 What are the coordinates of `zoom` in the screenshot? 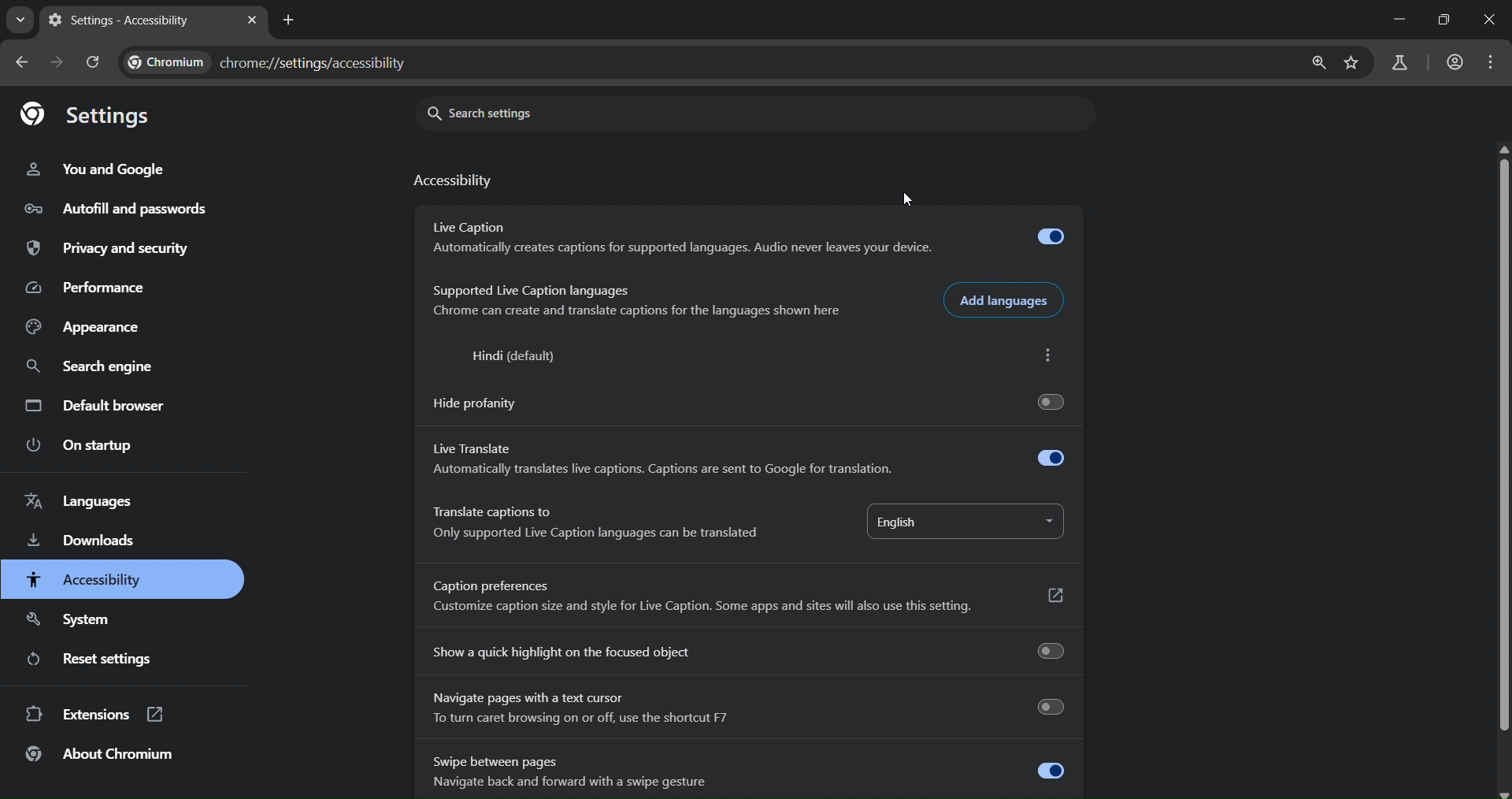 It's located at (1318, 61).